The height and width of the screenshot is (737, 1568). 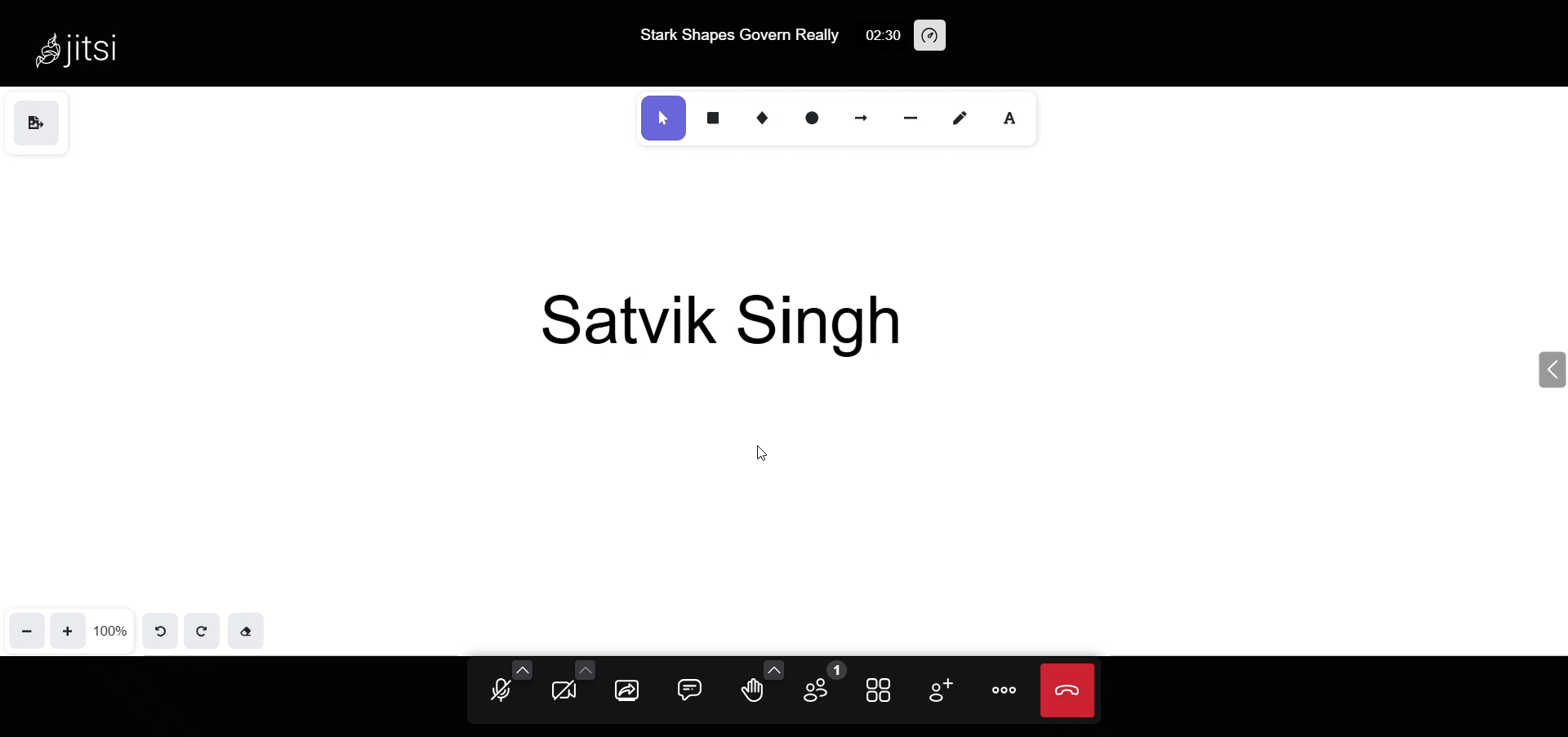 I want to click on Stark Shapes Govern Really, so click(x=739, y=36).